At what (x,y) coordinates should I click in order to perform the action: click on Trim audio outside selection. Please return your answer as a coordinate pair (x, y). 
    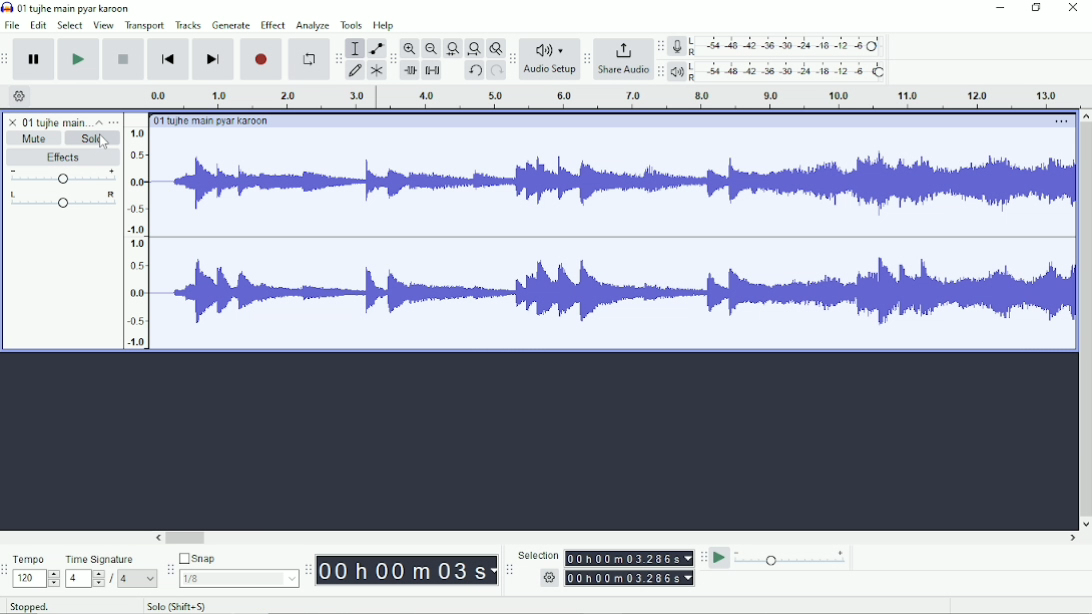
    Looking at the image, I should click on (410, 70).